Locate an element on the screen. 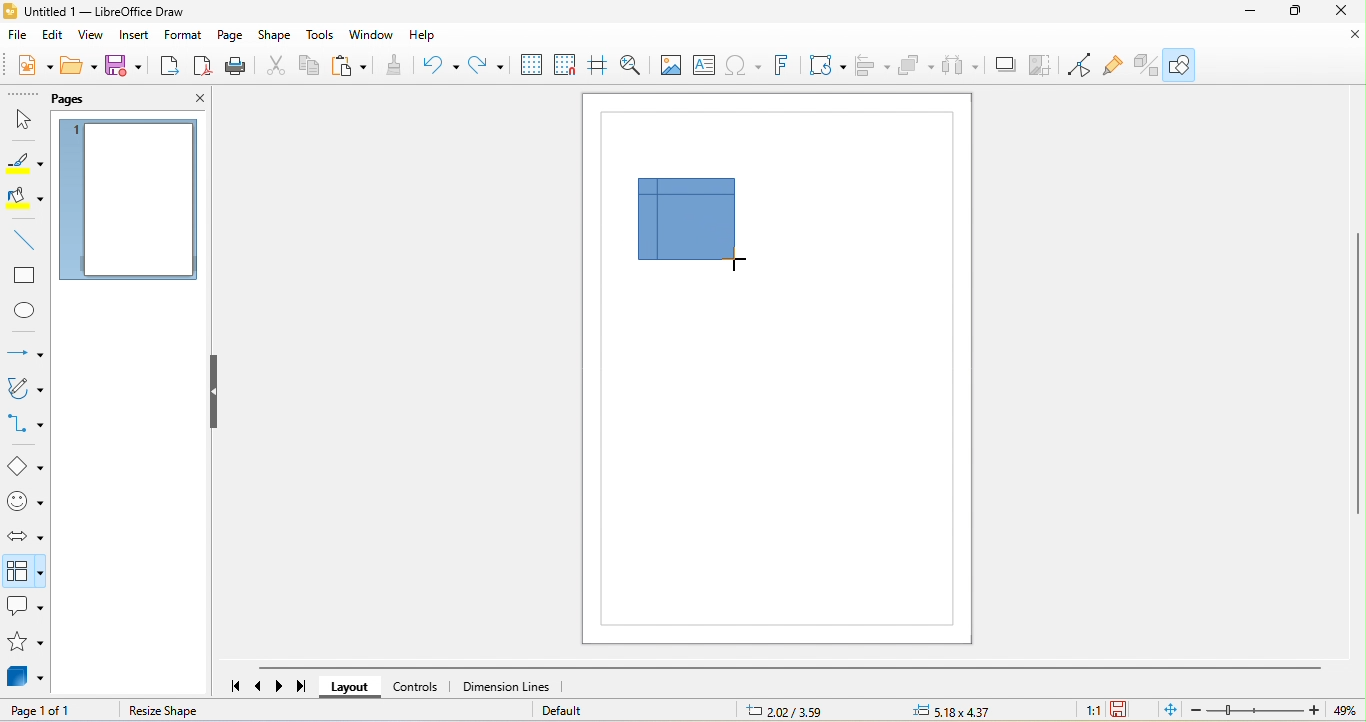 Image resolution: width=1366 pixels, height=722 pixels. show gluepoint function is located at coordinates (1116, 65).